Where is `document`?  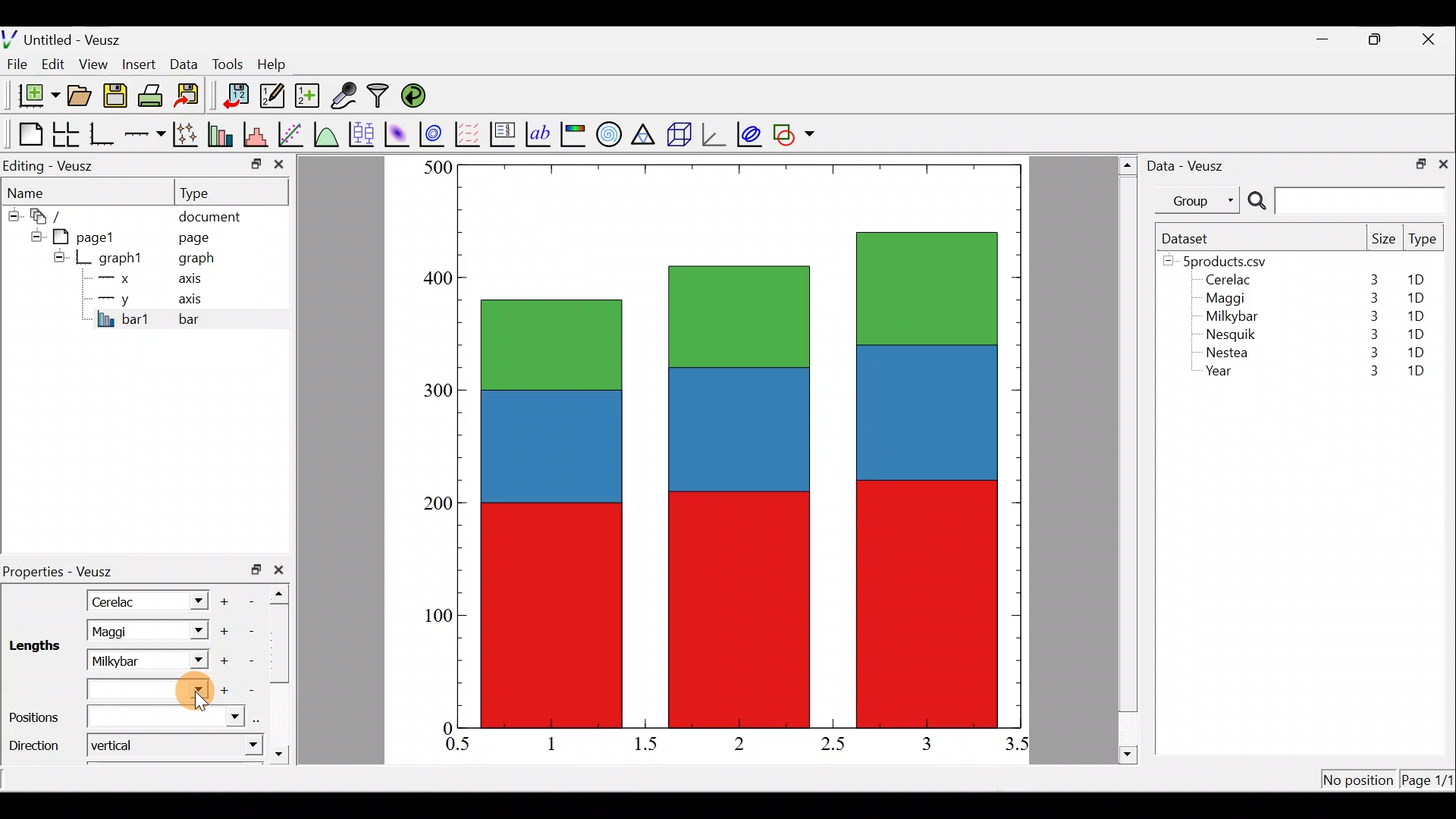 document is located at coordinates (209, 214).